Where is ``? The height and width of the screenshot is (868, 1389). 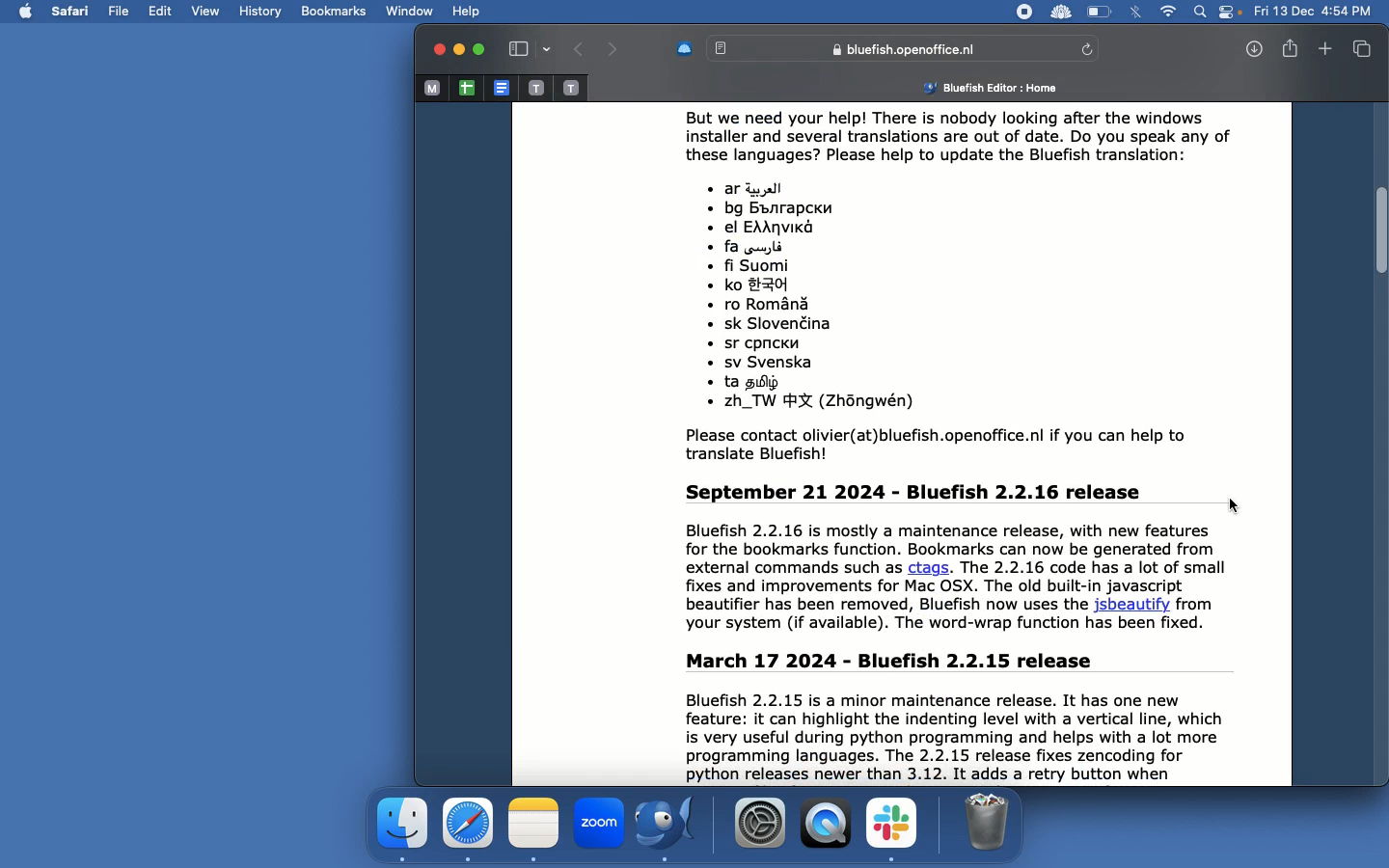  is located at coordinates (954, 446).